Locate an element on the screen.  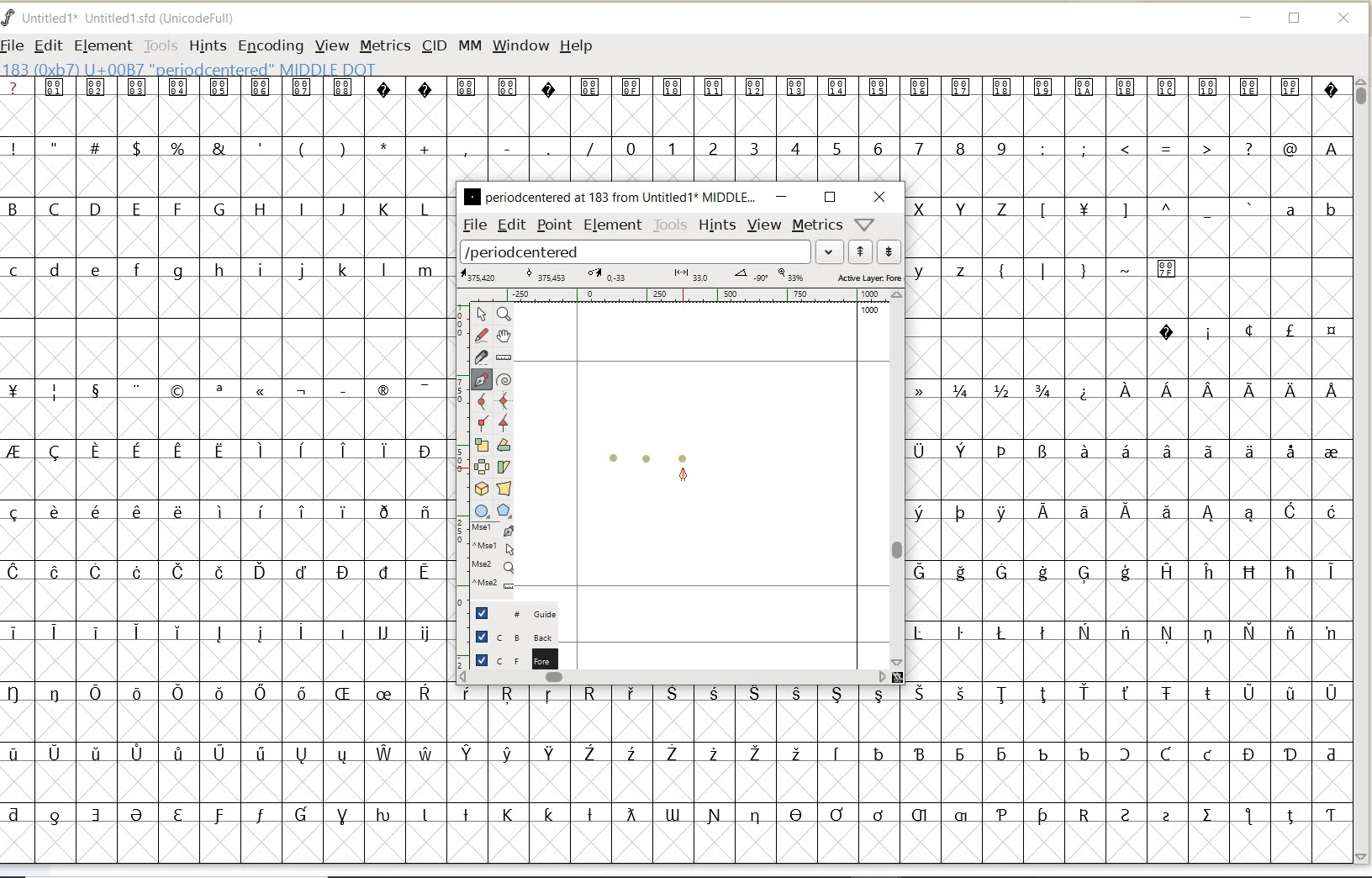
show next word list is located at coordinates (891, 252).